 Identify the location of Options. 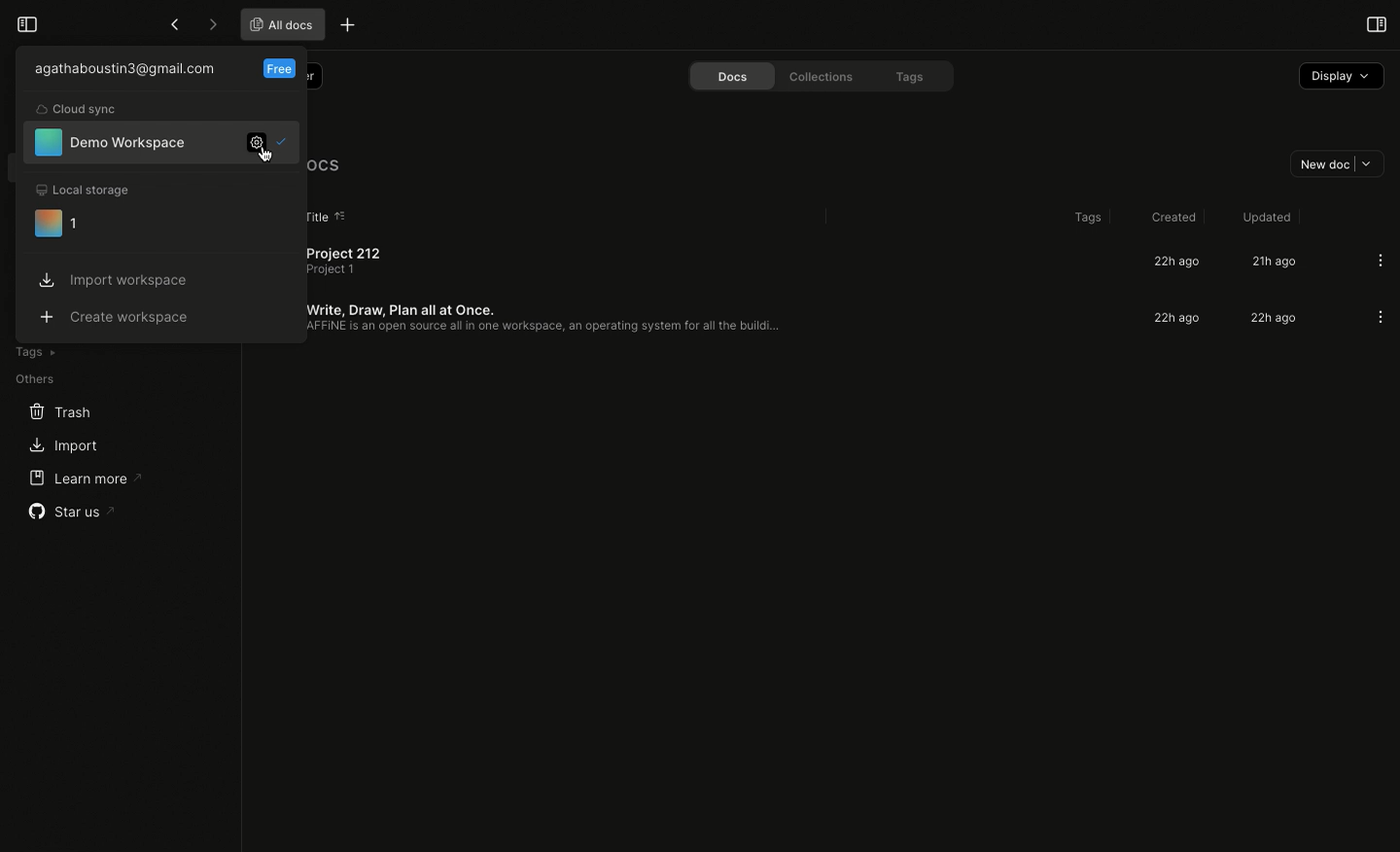
(1380, 318).